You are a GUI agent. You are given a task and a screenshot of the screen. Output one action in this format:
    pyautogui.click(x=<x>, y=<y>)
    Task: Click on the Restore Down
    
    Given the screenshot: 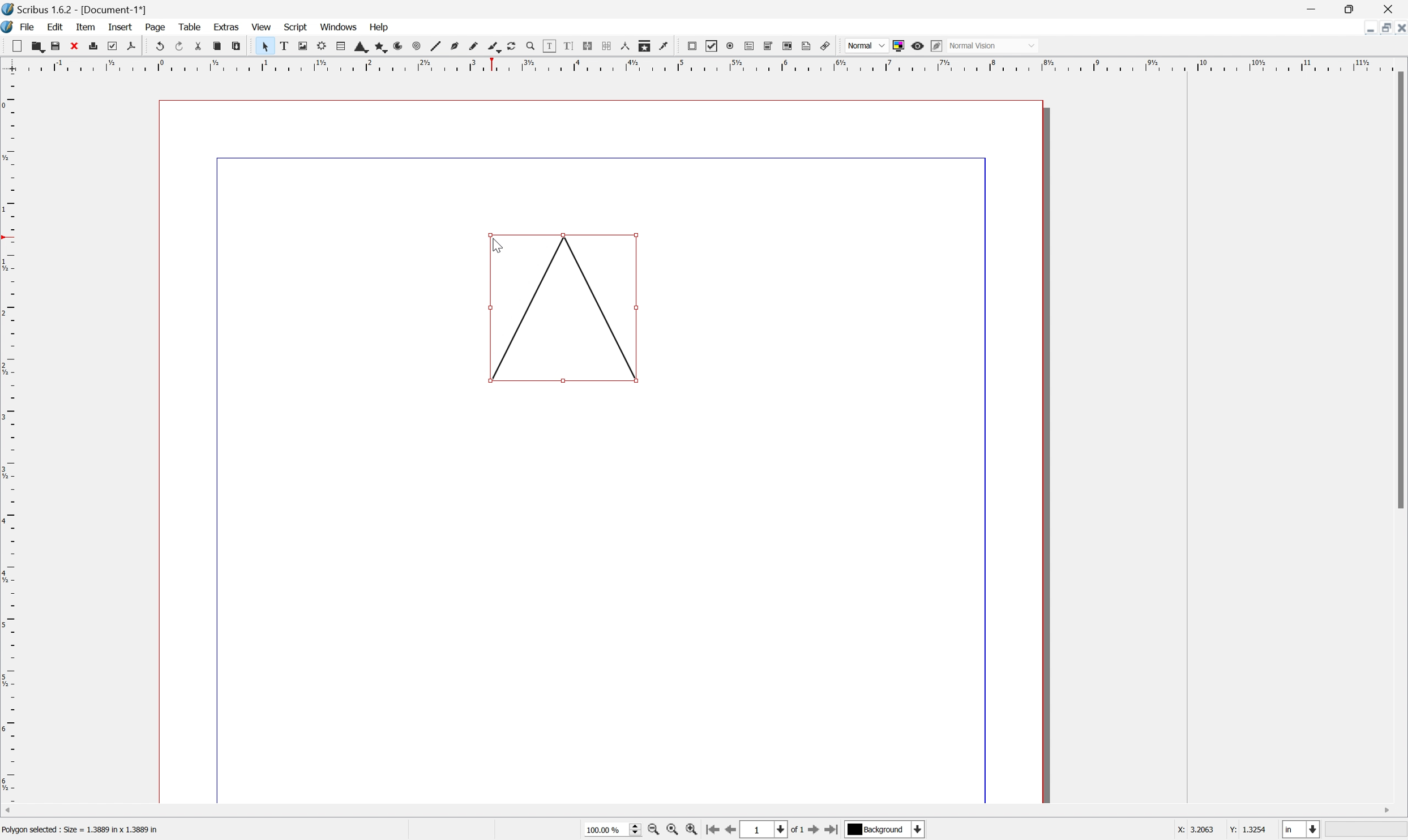 What is the action you would take?
    pyautogui.click(x=1381, y=28)
    